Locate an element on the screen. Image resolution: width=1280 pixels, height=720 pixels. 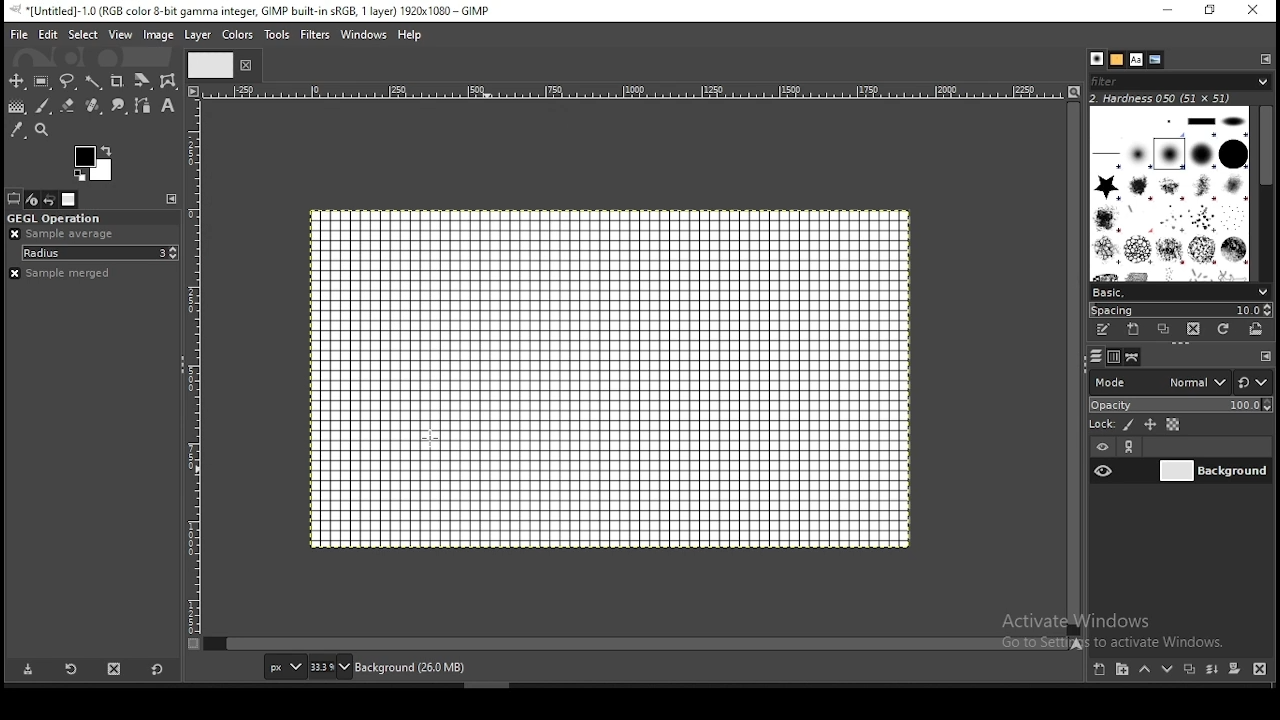
colors is located at coordinates (236, 36).